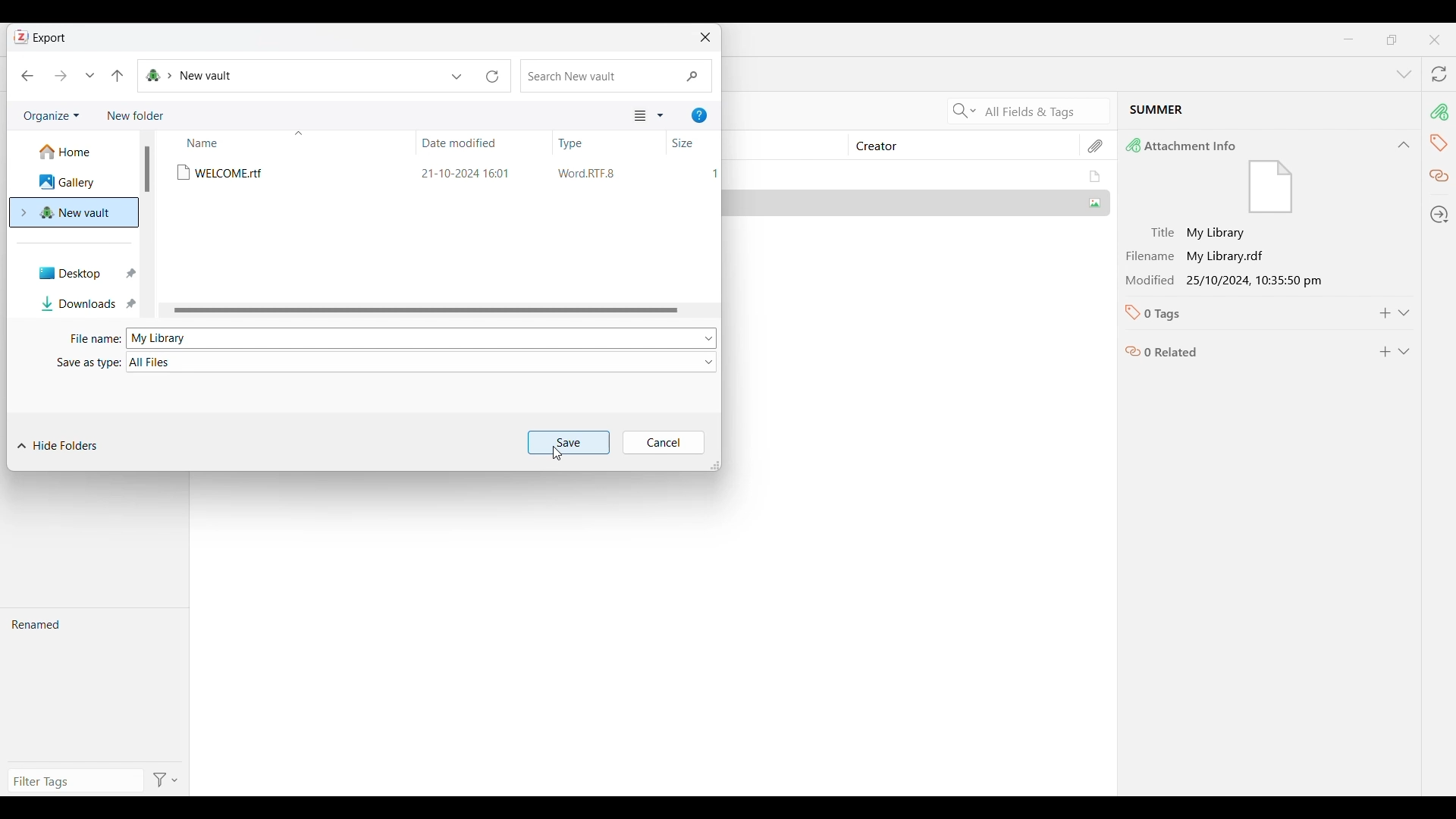  What do you see at coordinates (1097, 146) in the screenshot?
I see `Attachments` at bounding box center [1097, 146].